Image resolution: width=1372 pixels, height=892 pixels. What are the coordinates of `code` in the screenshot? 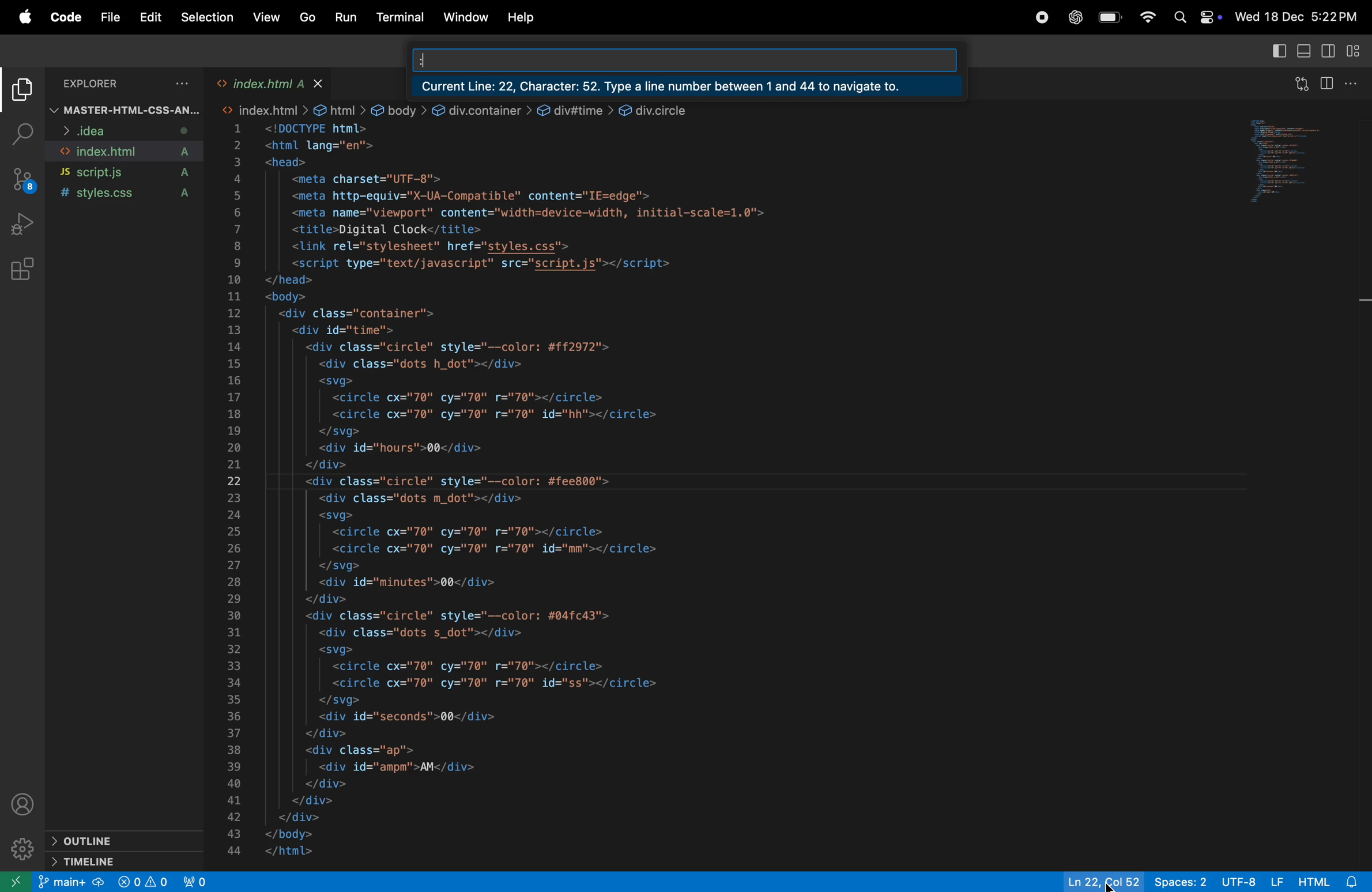 It's located at (66, 16).